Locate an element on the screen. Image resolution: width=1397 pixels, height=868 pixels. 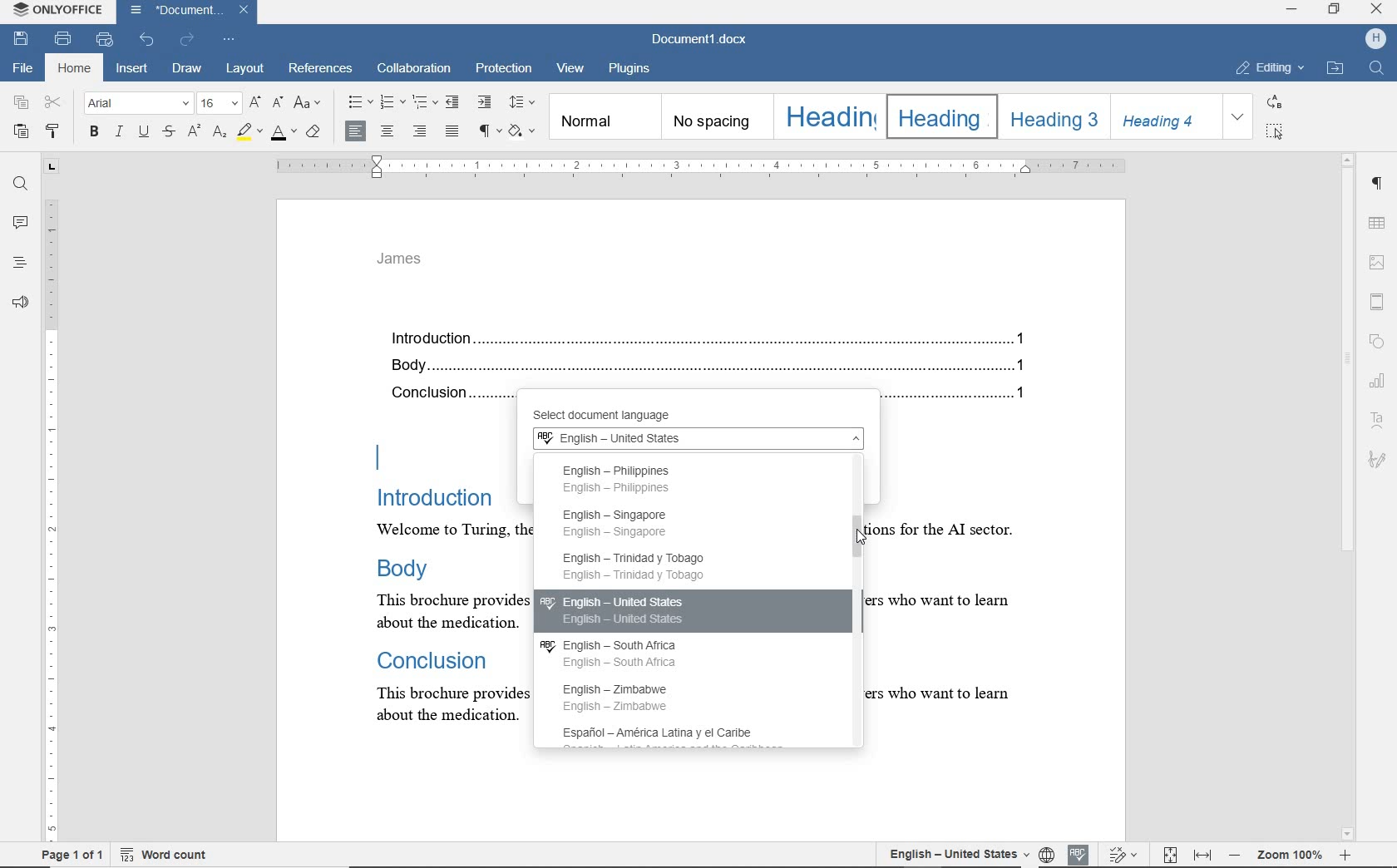
find is located at coordinates (20, 185).